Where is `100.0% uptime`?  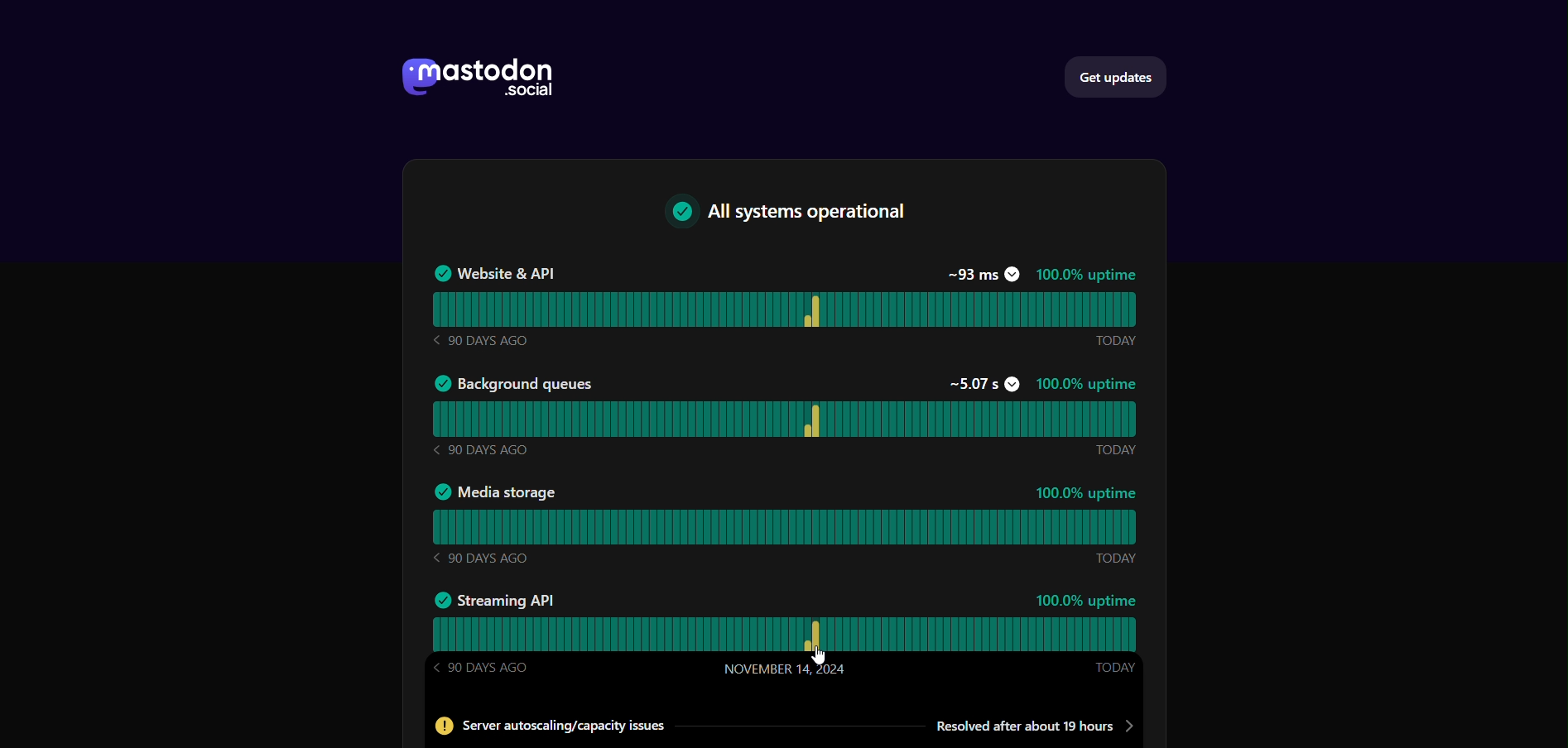
100.0% uptime is located at coordinates (1087, 385).